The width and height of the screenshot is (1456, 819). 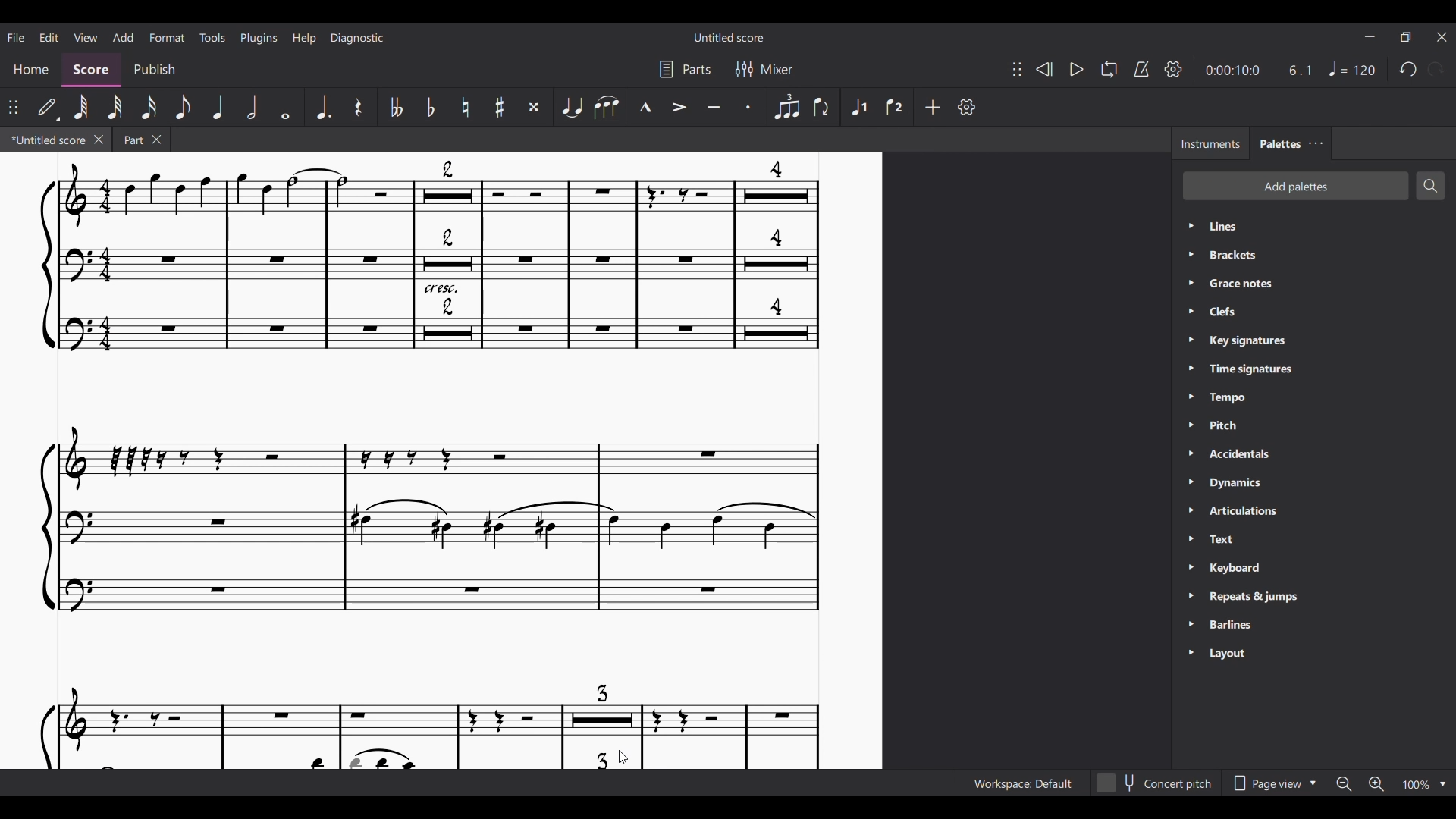 What do you see at coordinates (285, 107) in the screenshot?
I see `Whole note` at bounding box center [285, 107].